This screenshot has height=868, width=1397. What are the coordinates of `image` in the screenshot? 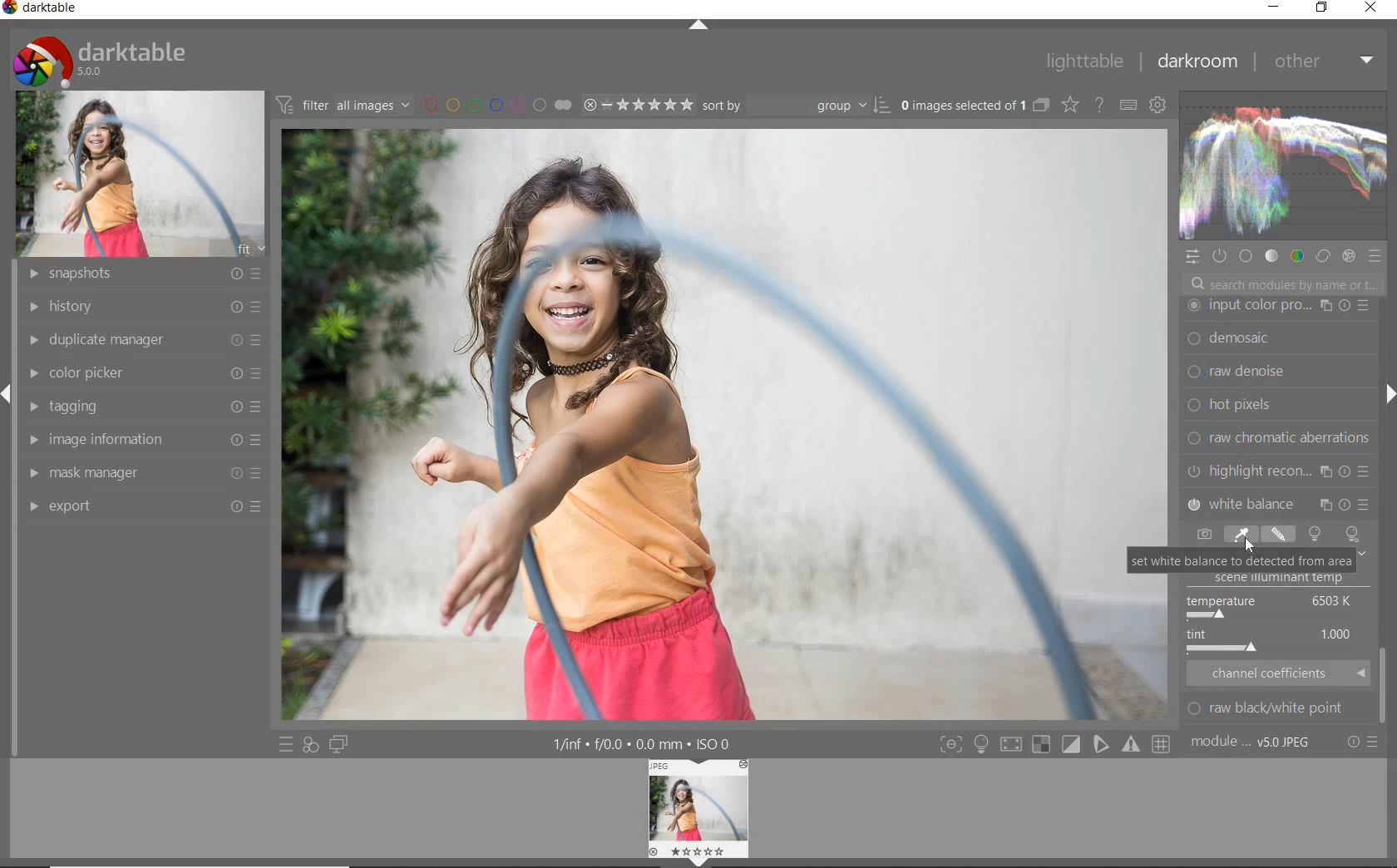 It's located at (142, 172).